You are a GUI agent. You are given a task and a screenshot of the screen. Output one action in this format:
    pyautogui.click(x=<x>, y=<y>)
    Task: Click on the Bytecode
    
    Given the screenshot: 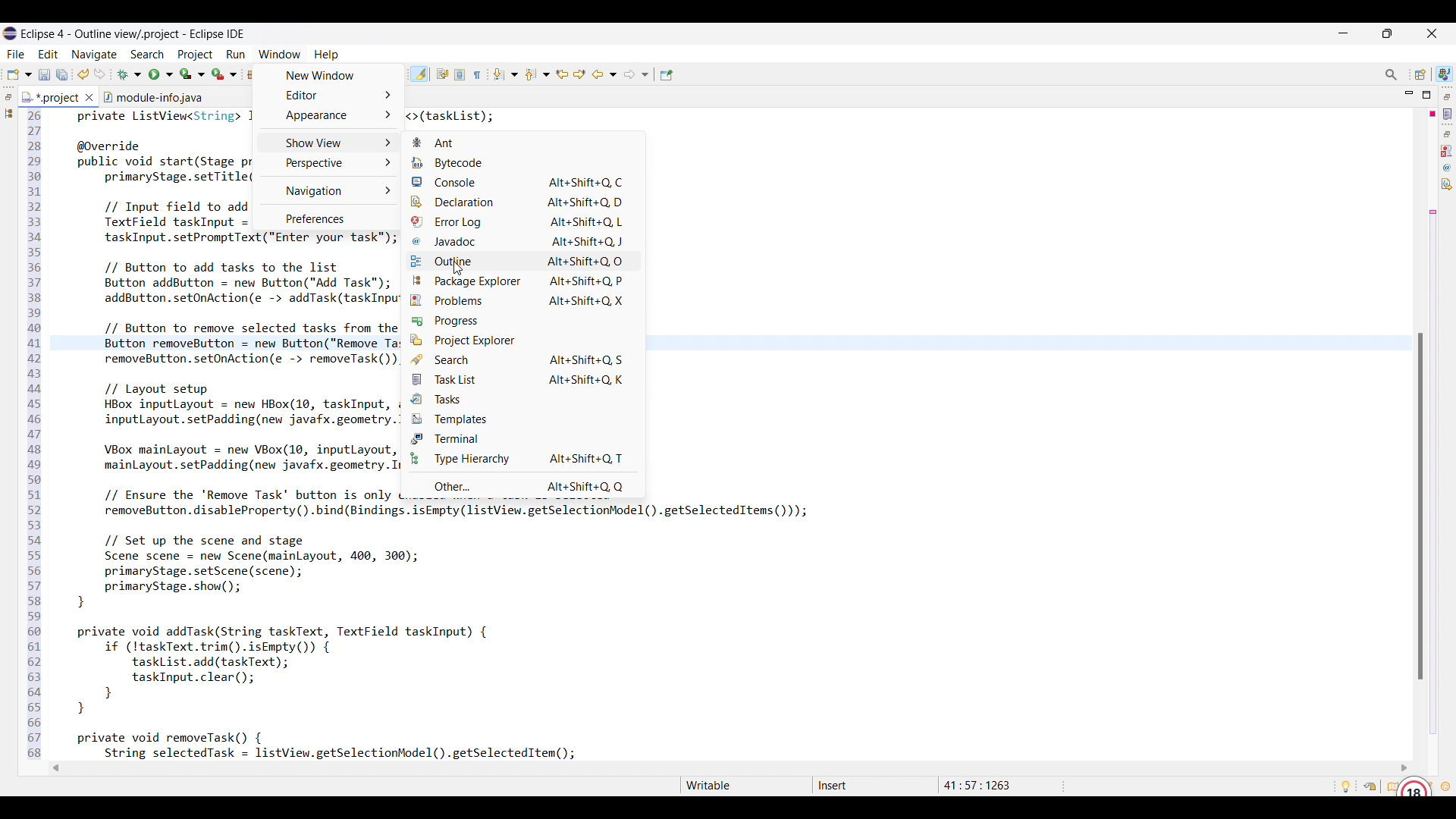 What is the action you would take?
    pyautogui.click(x=521, y=163)
    